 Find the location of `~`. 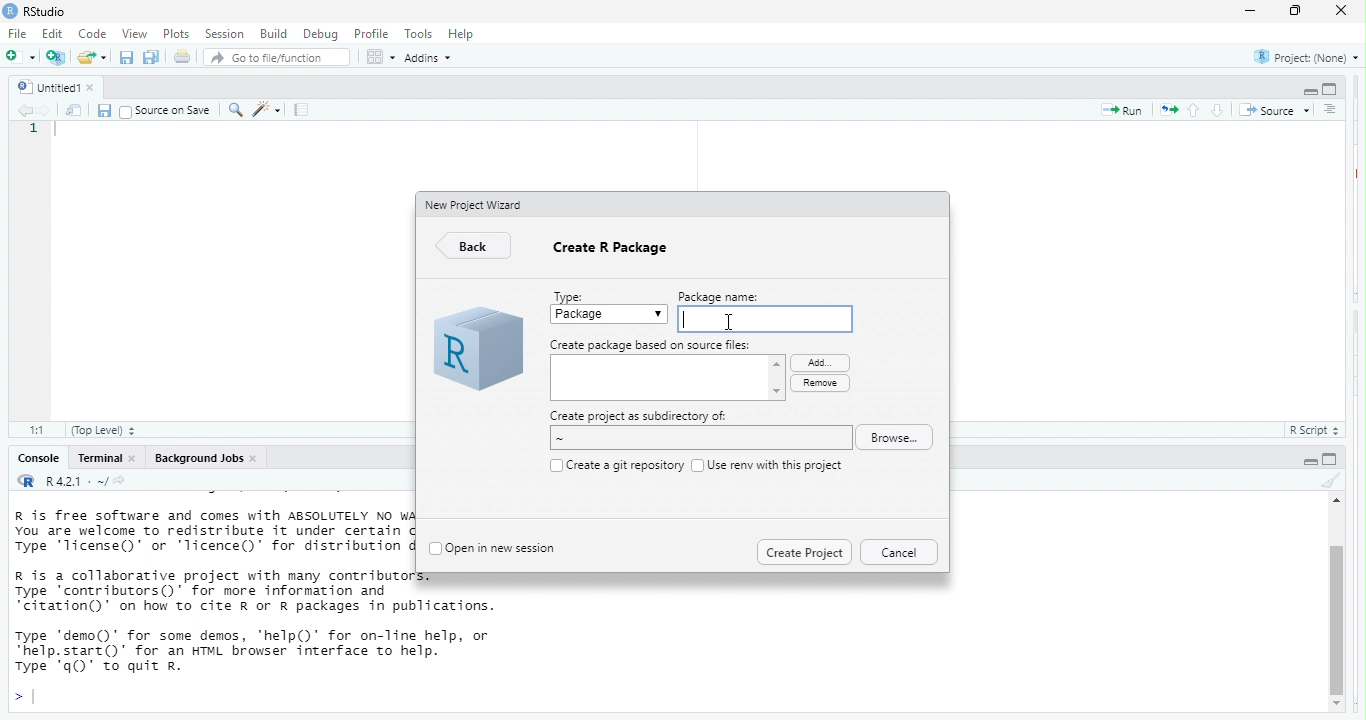

~ is located at coordinates (697, 439).